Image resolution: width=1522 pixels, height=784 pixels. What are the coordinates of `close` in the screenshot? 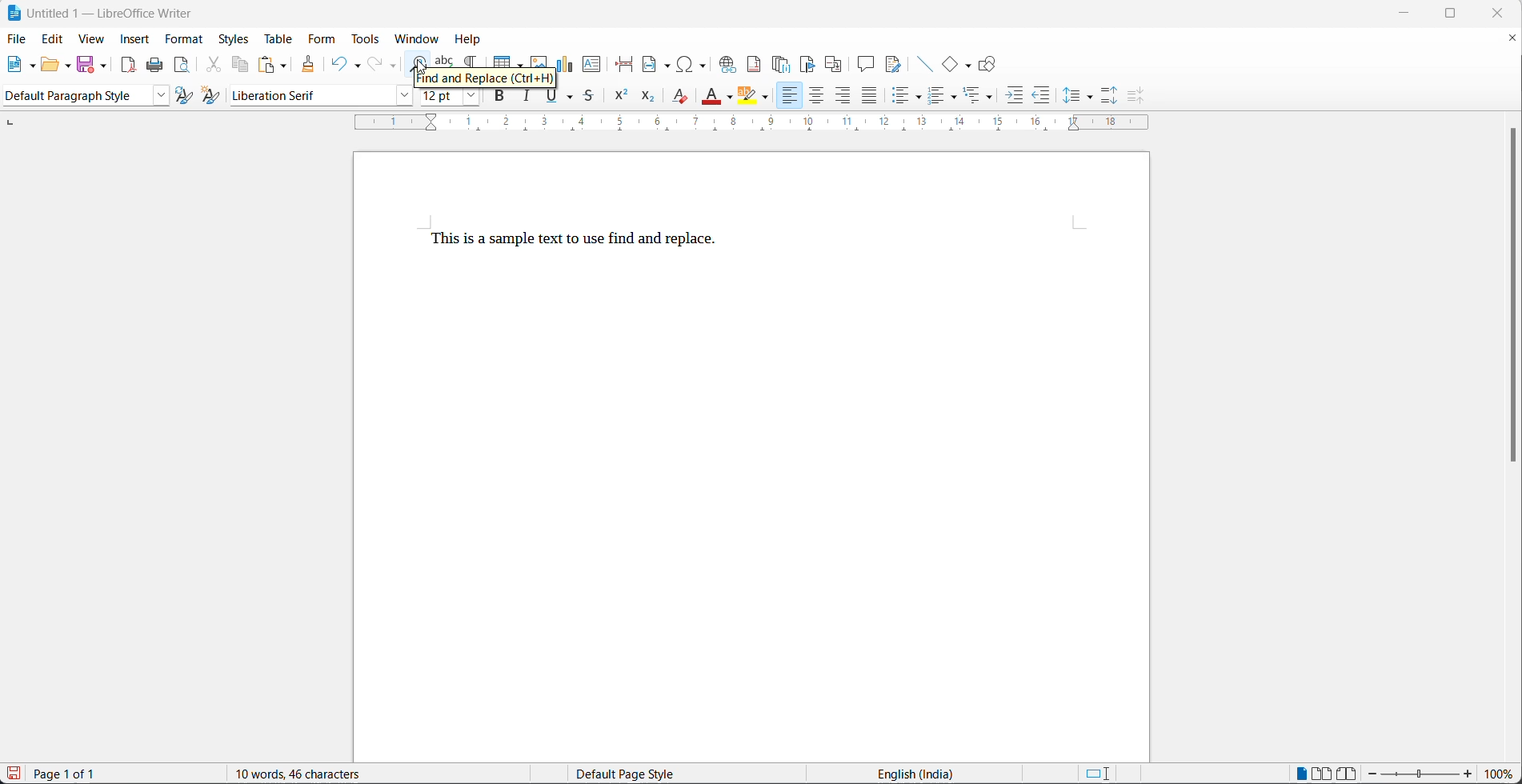 It's located at (1503, 13).